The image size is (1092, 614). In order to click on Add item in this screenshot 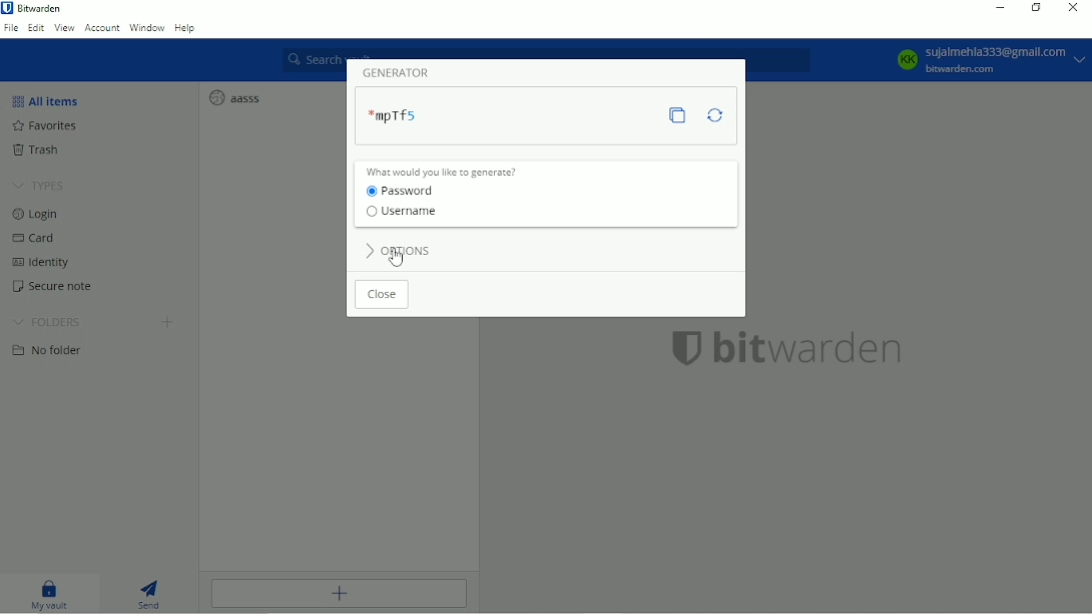, I will do `click(341, 594)`.